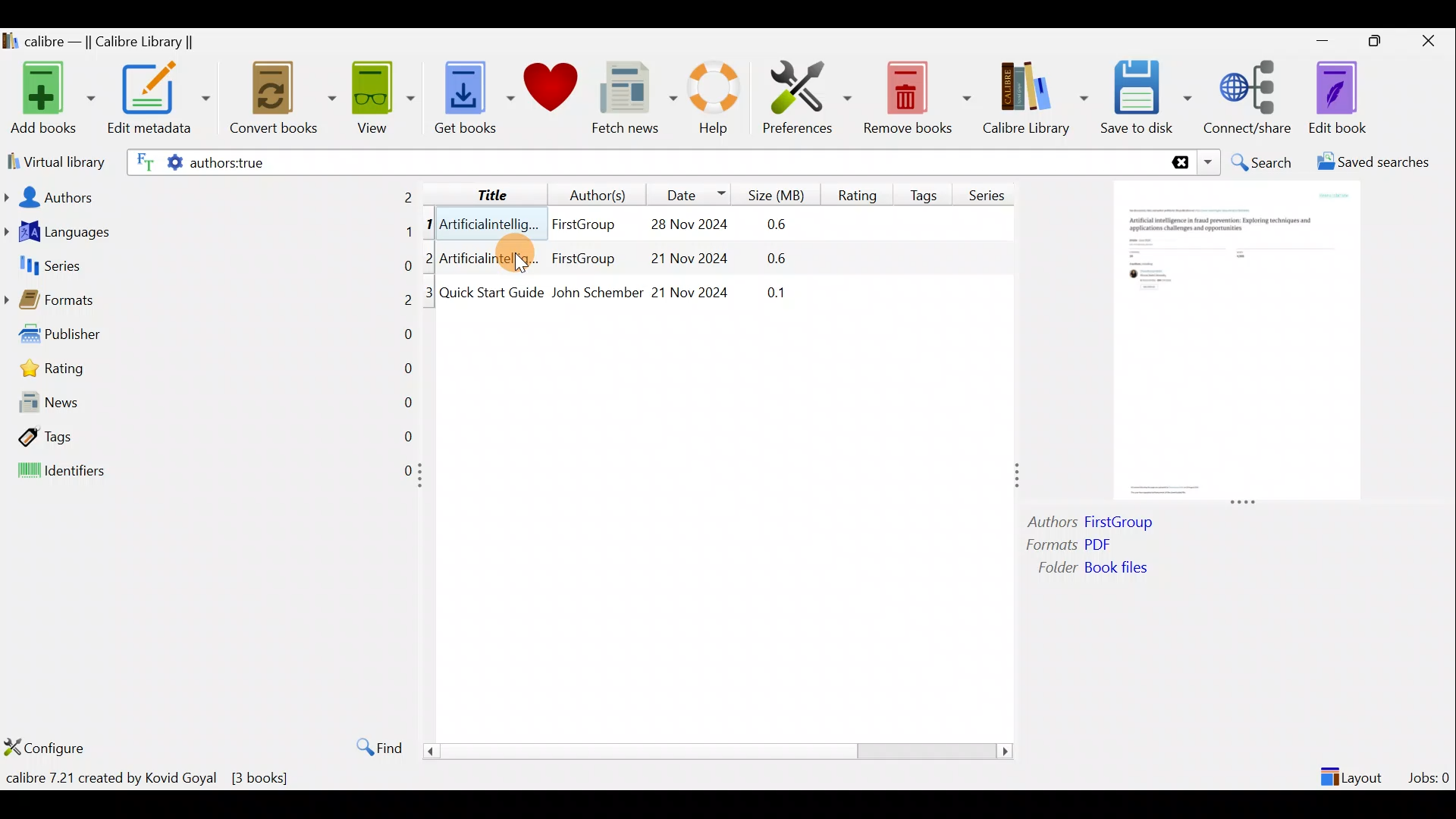 The width and height of the screenshot is (1456, 819). What do you see at coordinates (918, 97) in the screenshot?
I see `Remove books` at bounding box center [918, 97].